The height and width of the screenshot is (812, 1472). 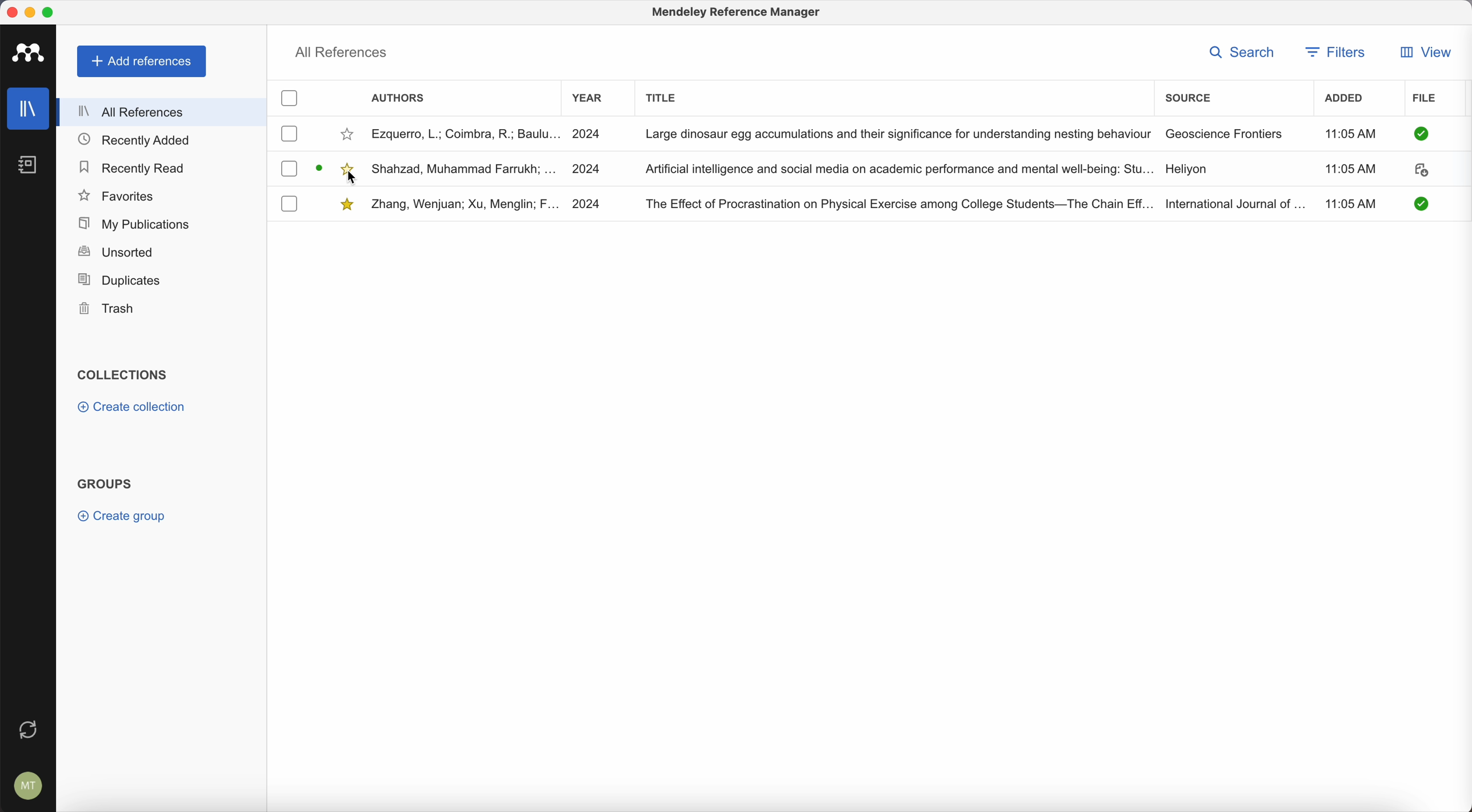 What do you see at coordinates (1419, 134) in the screenshot?
I see `pdf downloaded` at bounding box center [1419, 134].